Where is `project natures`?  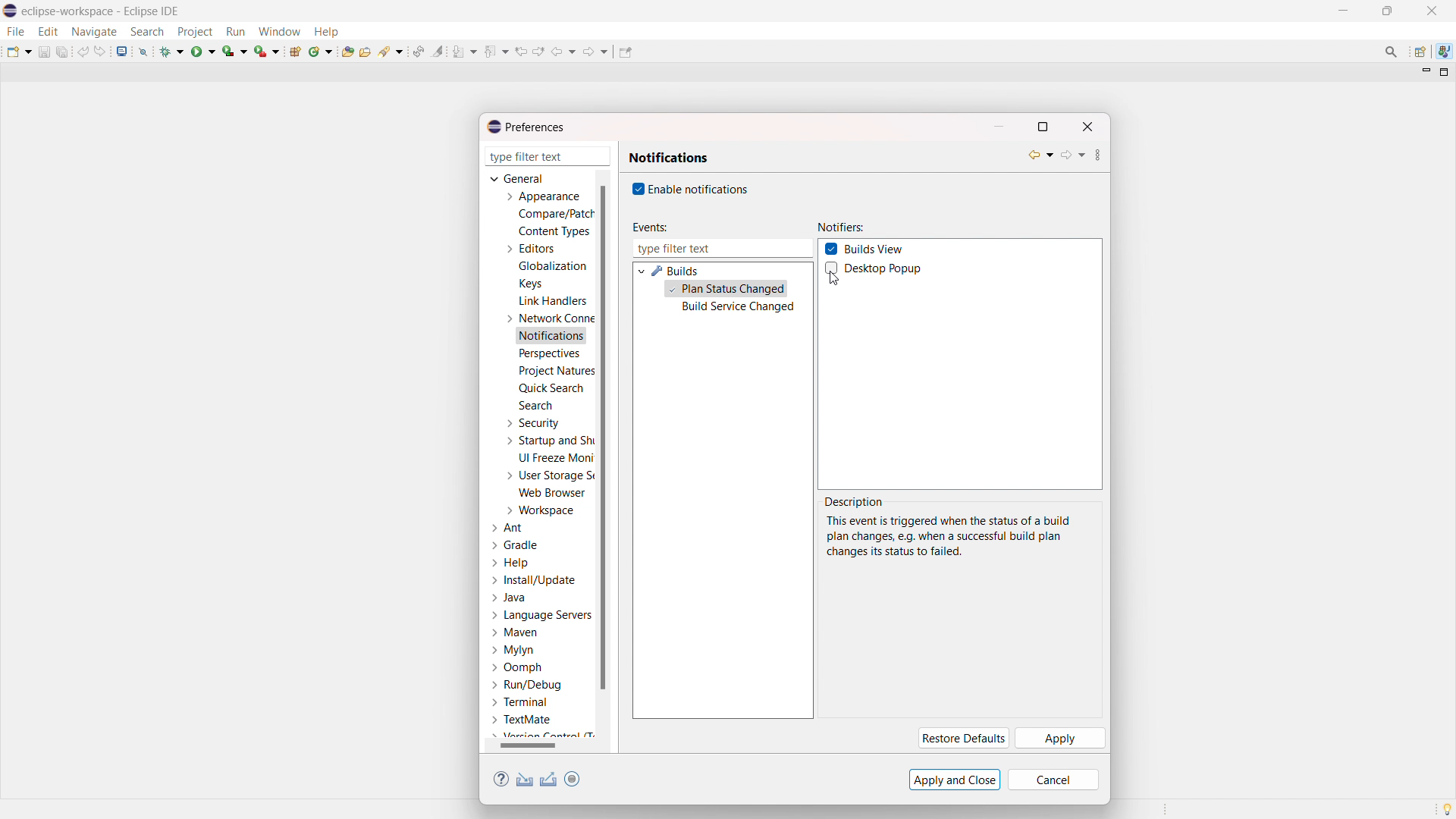 project natures is located at coordinates (555, 370).